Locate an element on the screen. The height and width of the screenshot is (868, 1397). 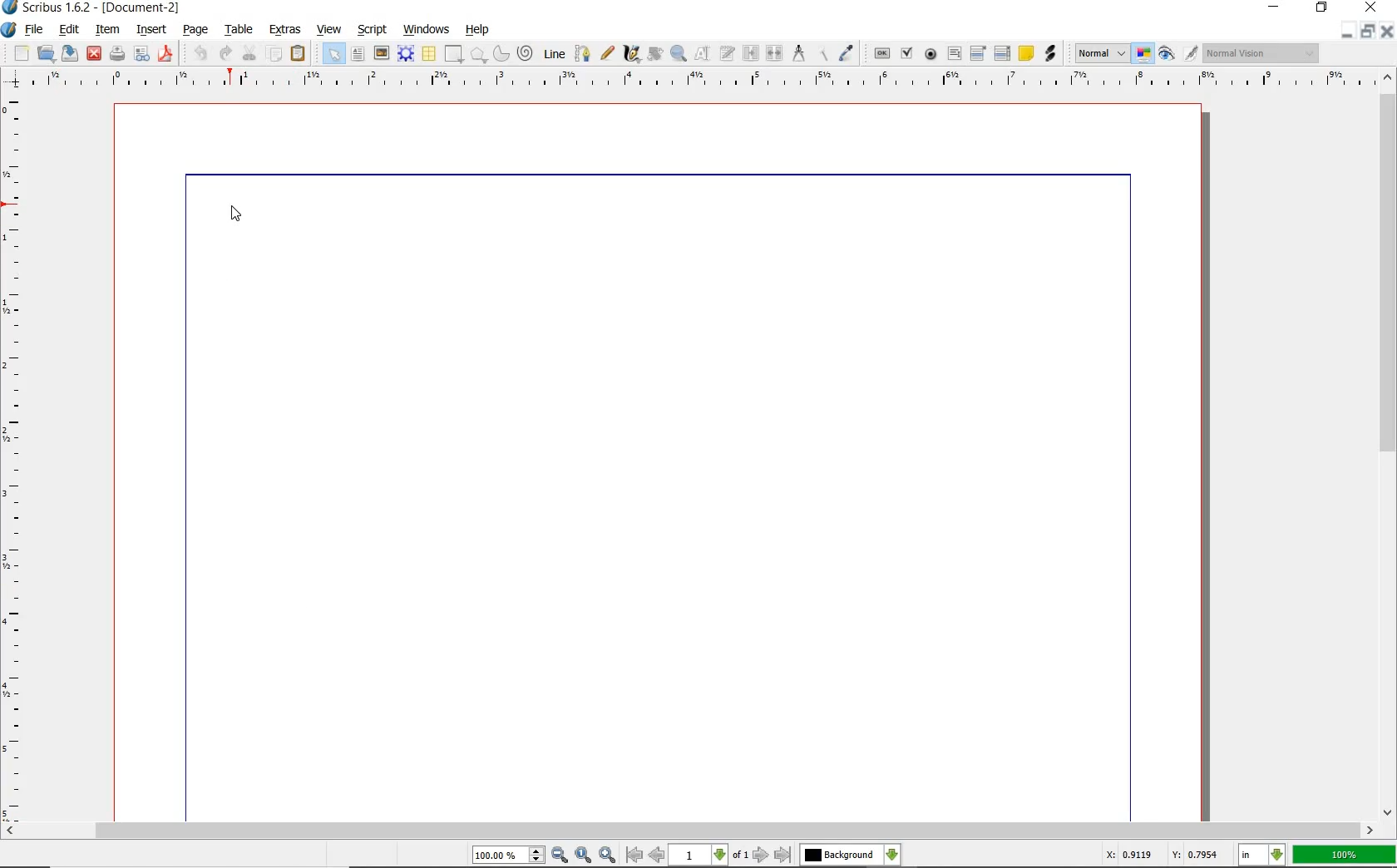
select the image preview mode is located at coordinates (1098, 53).